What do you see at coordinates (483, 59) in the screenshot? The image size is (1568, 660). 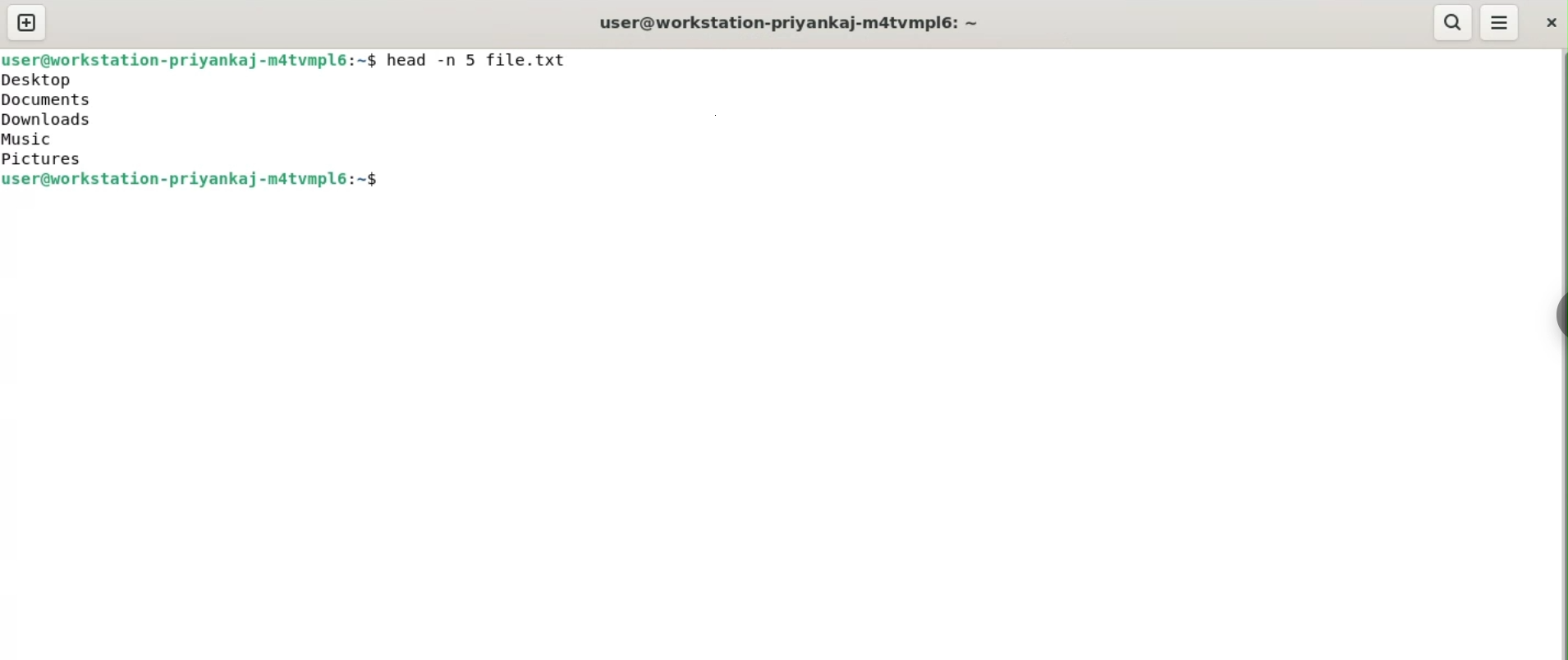 I see `head - 5 file.txt` at bounding box center [483, 59].